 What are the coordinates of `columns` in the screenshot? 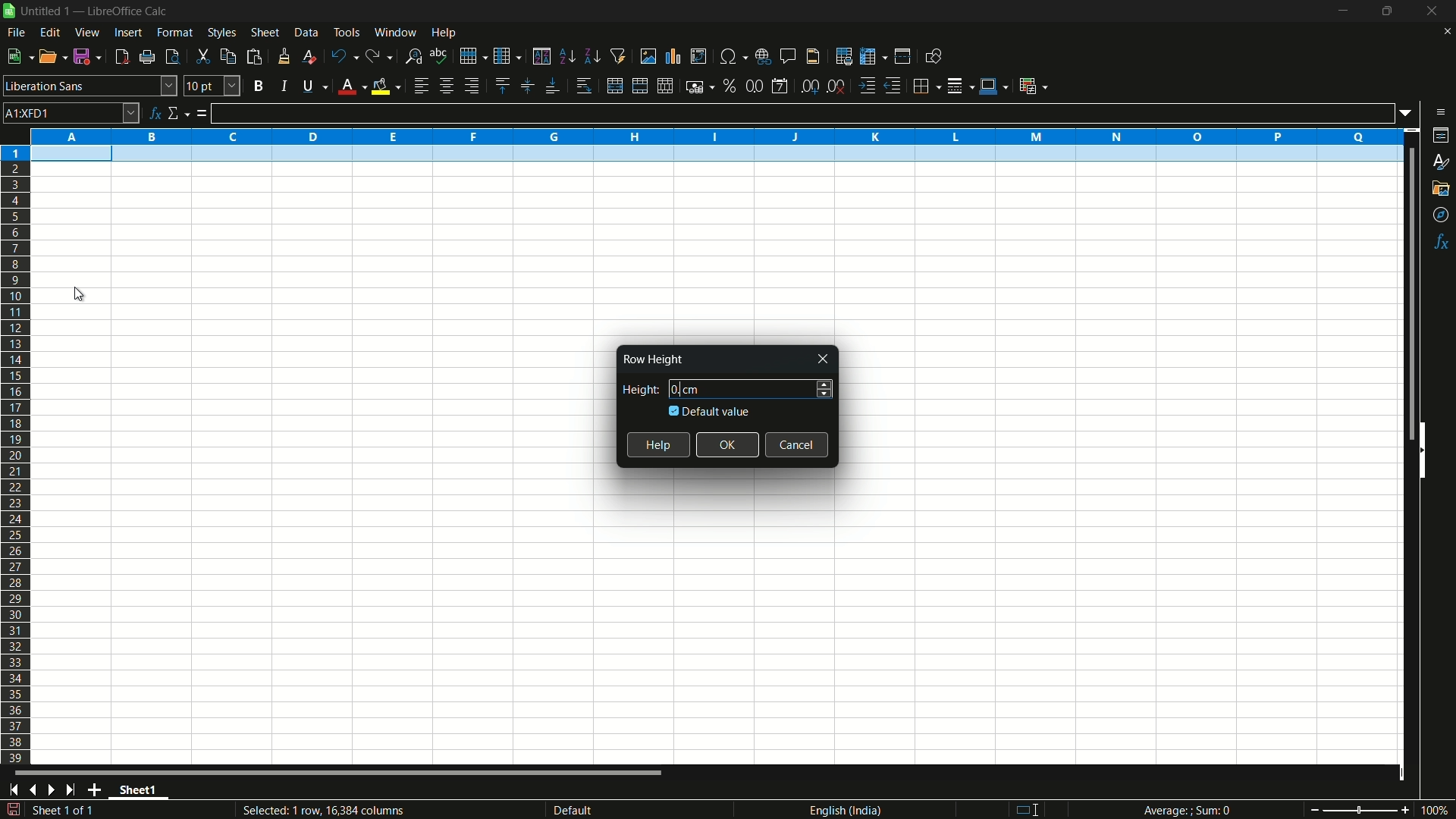 It's located at (716, 135).